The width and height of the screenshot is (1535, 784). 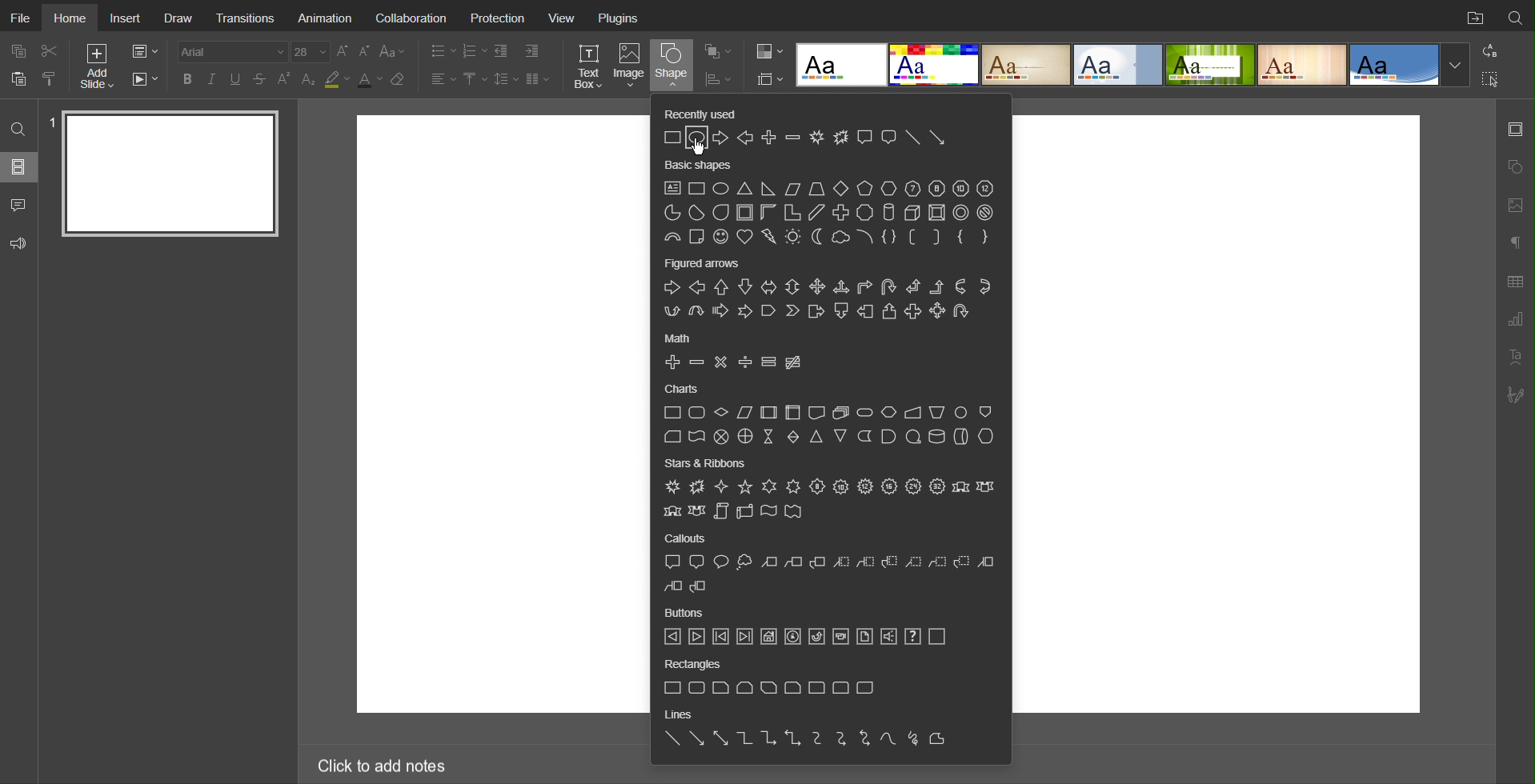 What do you see at coordinates (353, 51) in the screenshot?
I see `Font Size` at bounding box center [353, 51].